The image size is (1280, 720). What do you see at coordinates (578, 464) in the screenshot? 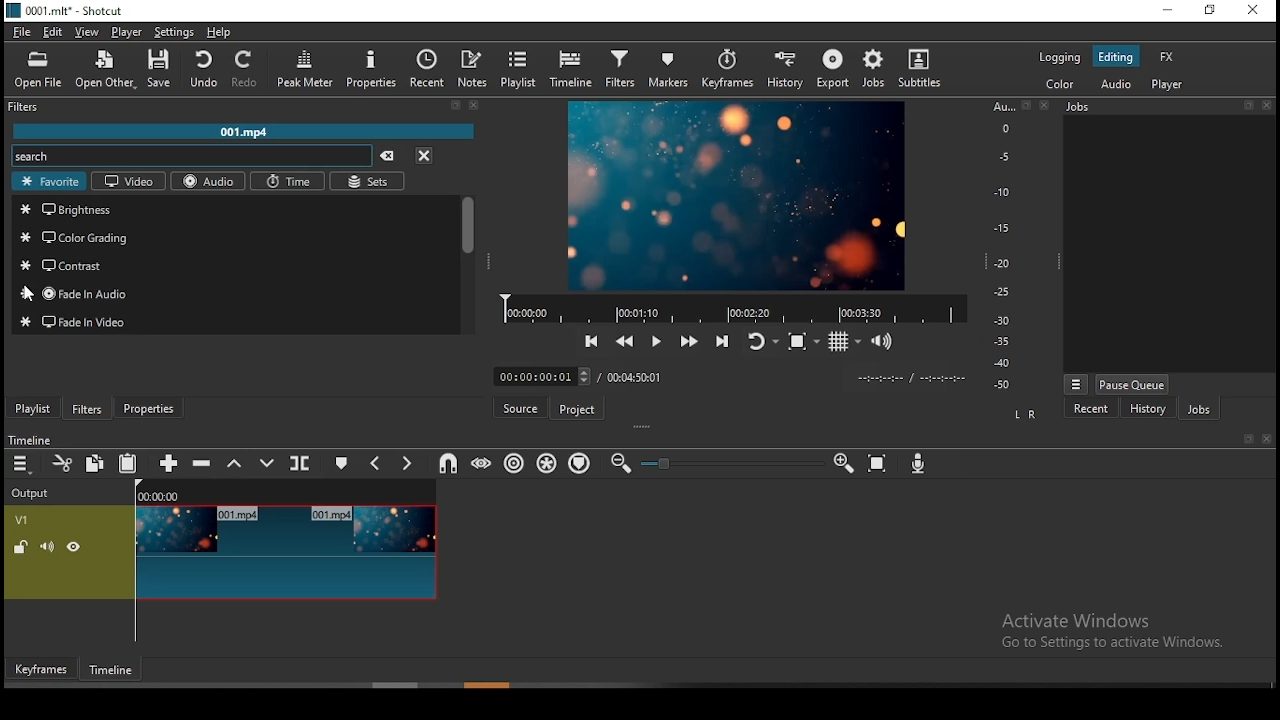
I see `ripple markers` at bounding box center [578, 464].